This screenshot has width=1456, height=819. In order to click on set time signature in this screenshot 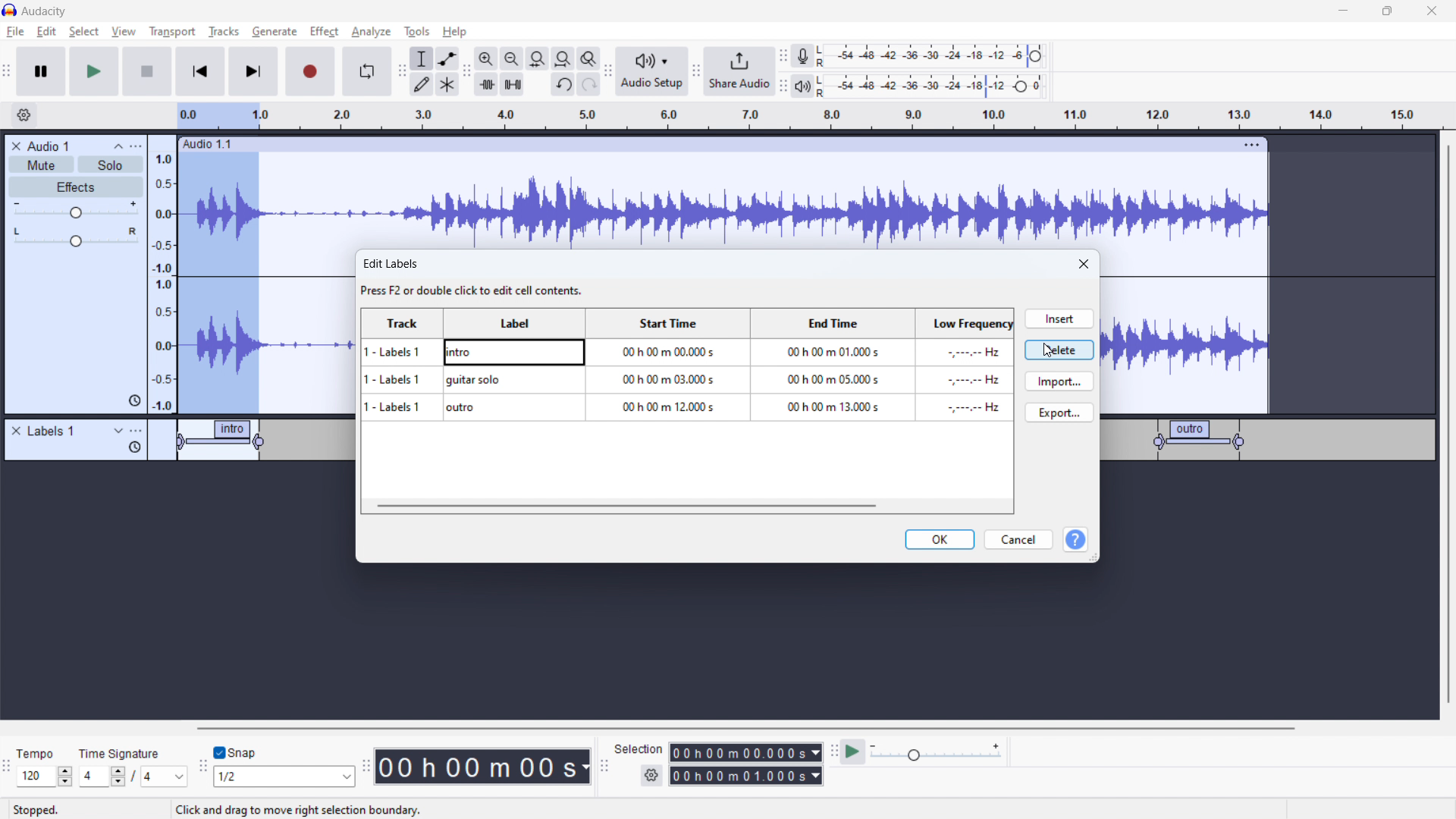, I will do `click(134, 776)`.